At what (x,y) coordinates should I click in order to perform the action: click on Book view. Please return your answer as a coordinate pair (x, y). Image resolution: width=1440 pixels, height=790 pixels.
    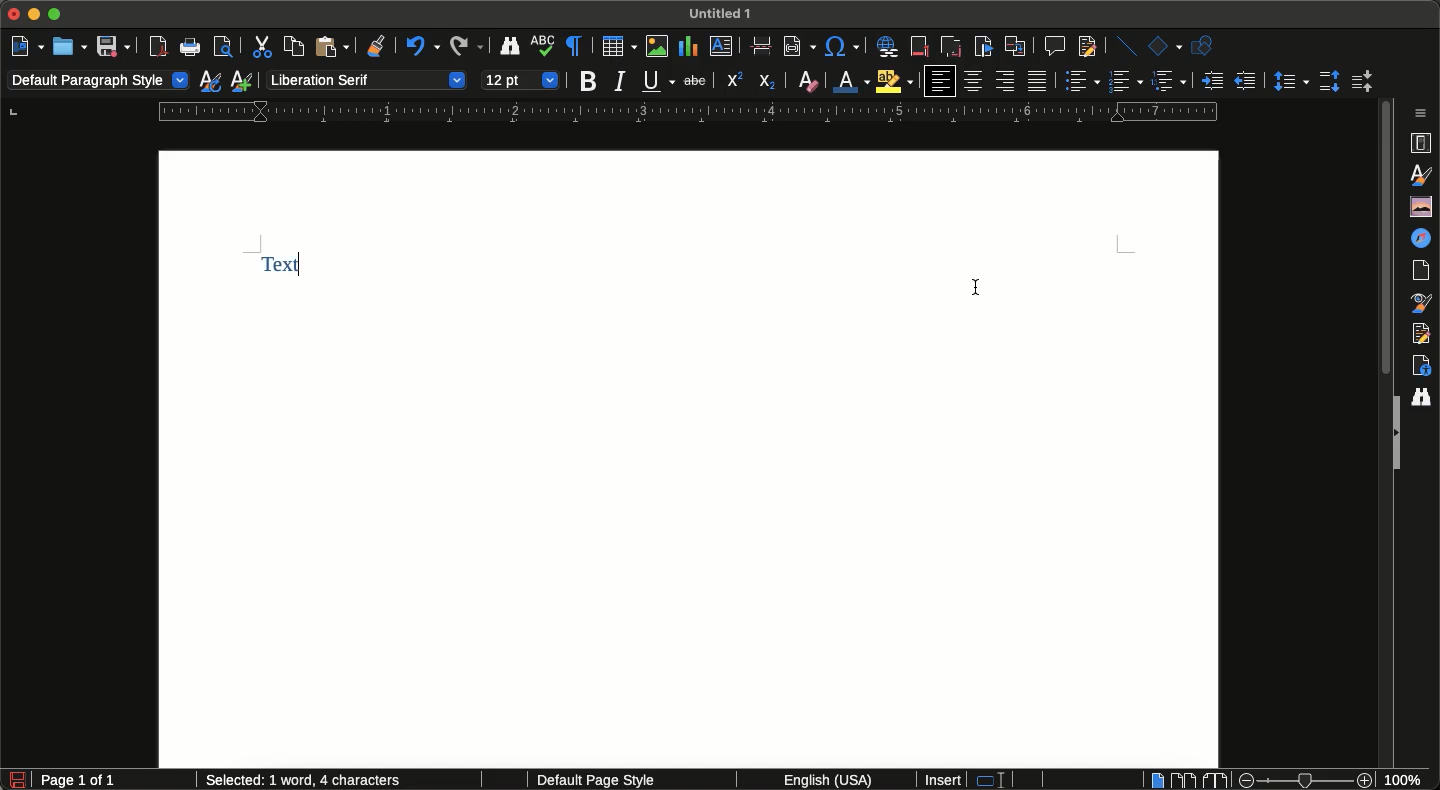
    Looking at the image, I should click on (1213, 780).